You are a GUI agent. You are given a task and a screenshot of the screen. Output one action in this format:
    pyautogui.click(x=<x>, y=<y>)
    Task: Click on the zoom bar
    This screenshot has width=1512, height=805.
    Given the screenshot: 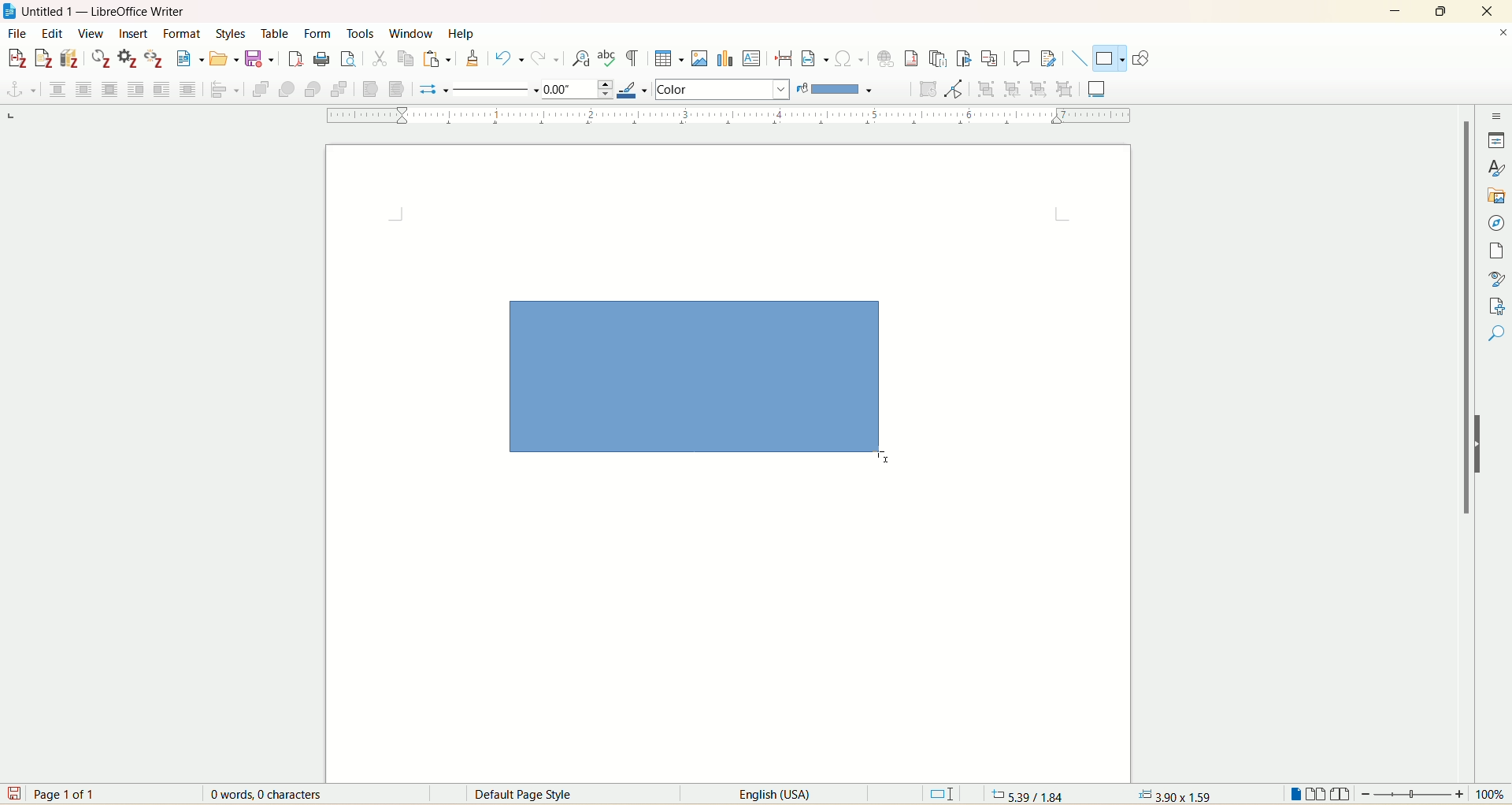 What is the action you would take?
    pyautogui.click(x=1413, y=793)
    